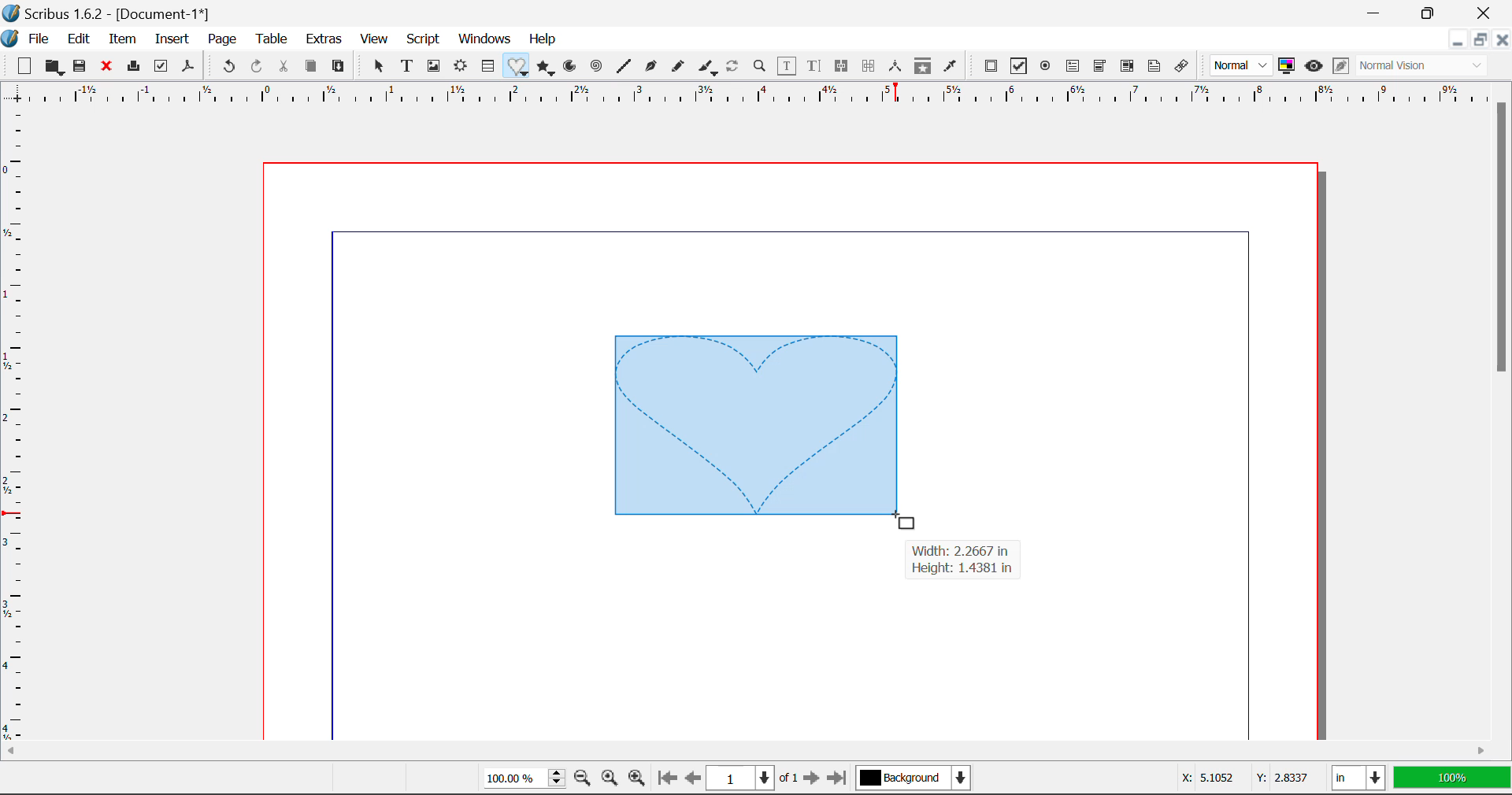 Image resolution: width=1512 pixels, height=795 pixels. What do you see at coordinates (1451, 779) in the screenshot?
I see `100%` at bounding box center [1451, 779].